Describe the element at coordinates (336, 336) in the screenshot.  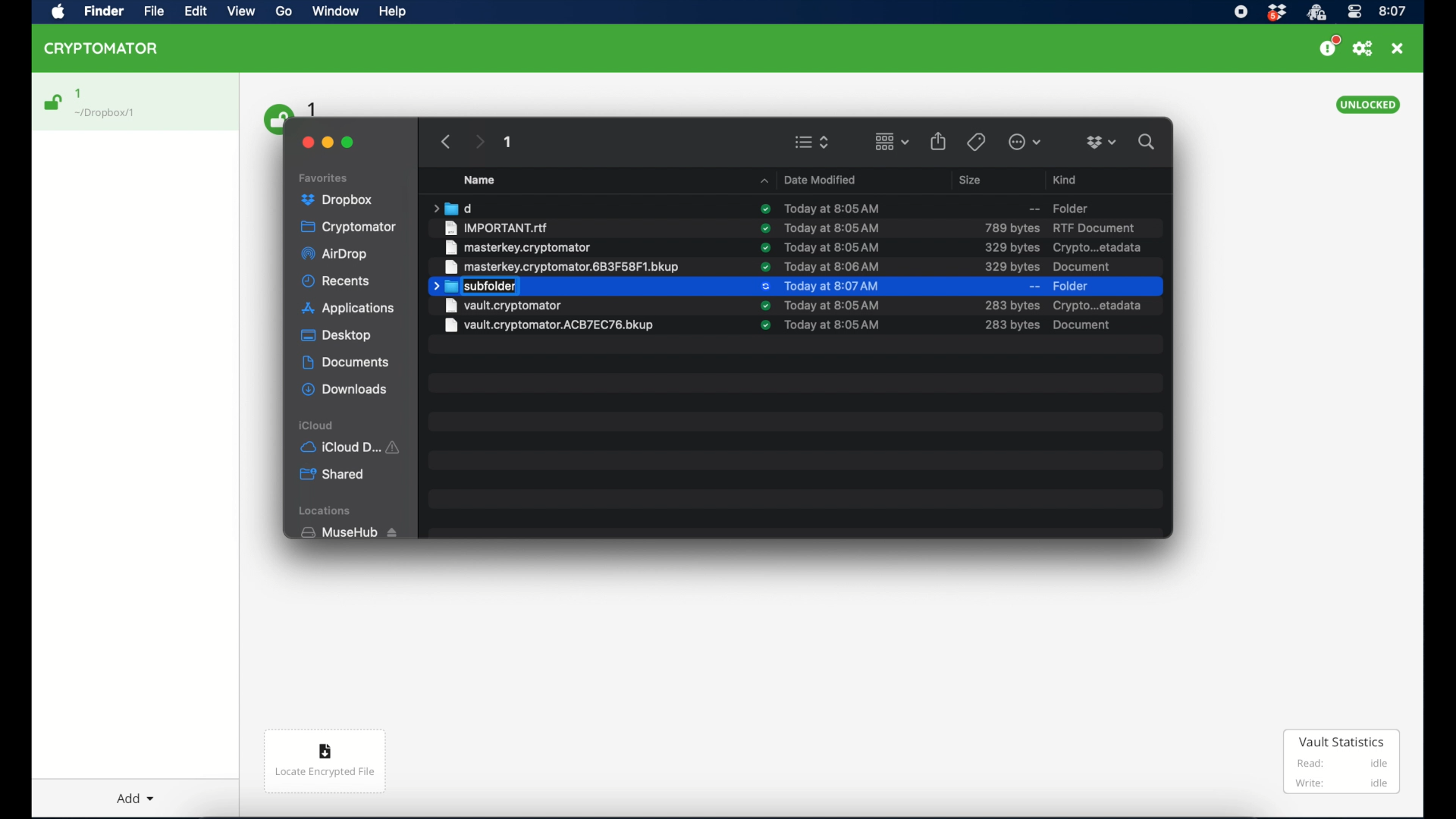
I see `desktop` at that location.